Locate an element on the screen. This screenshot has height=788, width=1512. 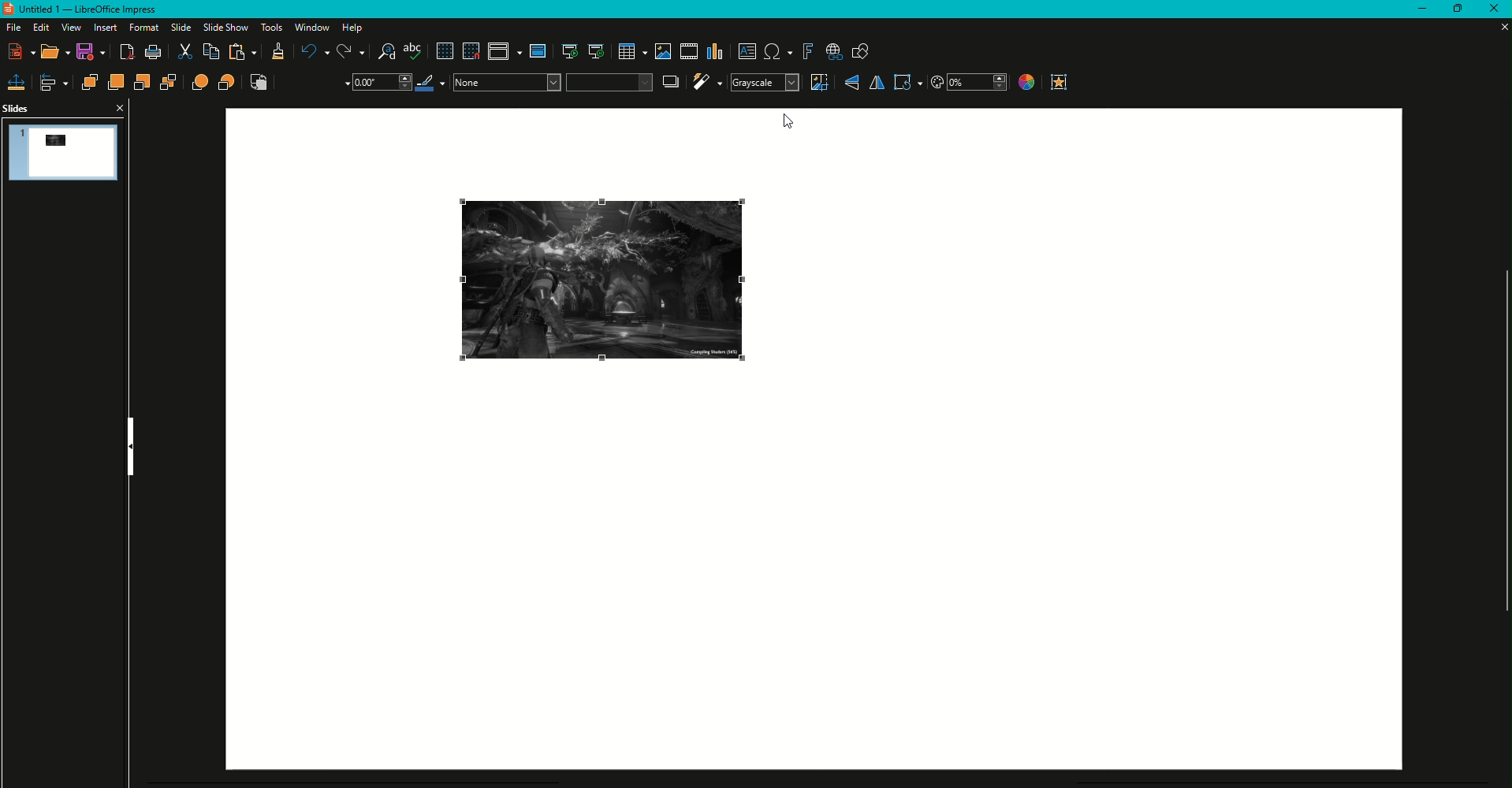
Insert Image is located at coordinates (661, 51).